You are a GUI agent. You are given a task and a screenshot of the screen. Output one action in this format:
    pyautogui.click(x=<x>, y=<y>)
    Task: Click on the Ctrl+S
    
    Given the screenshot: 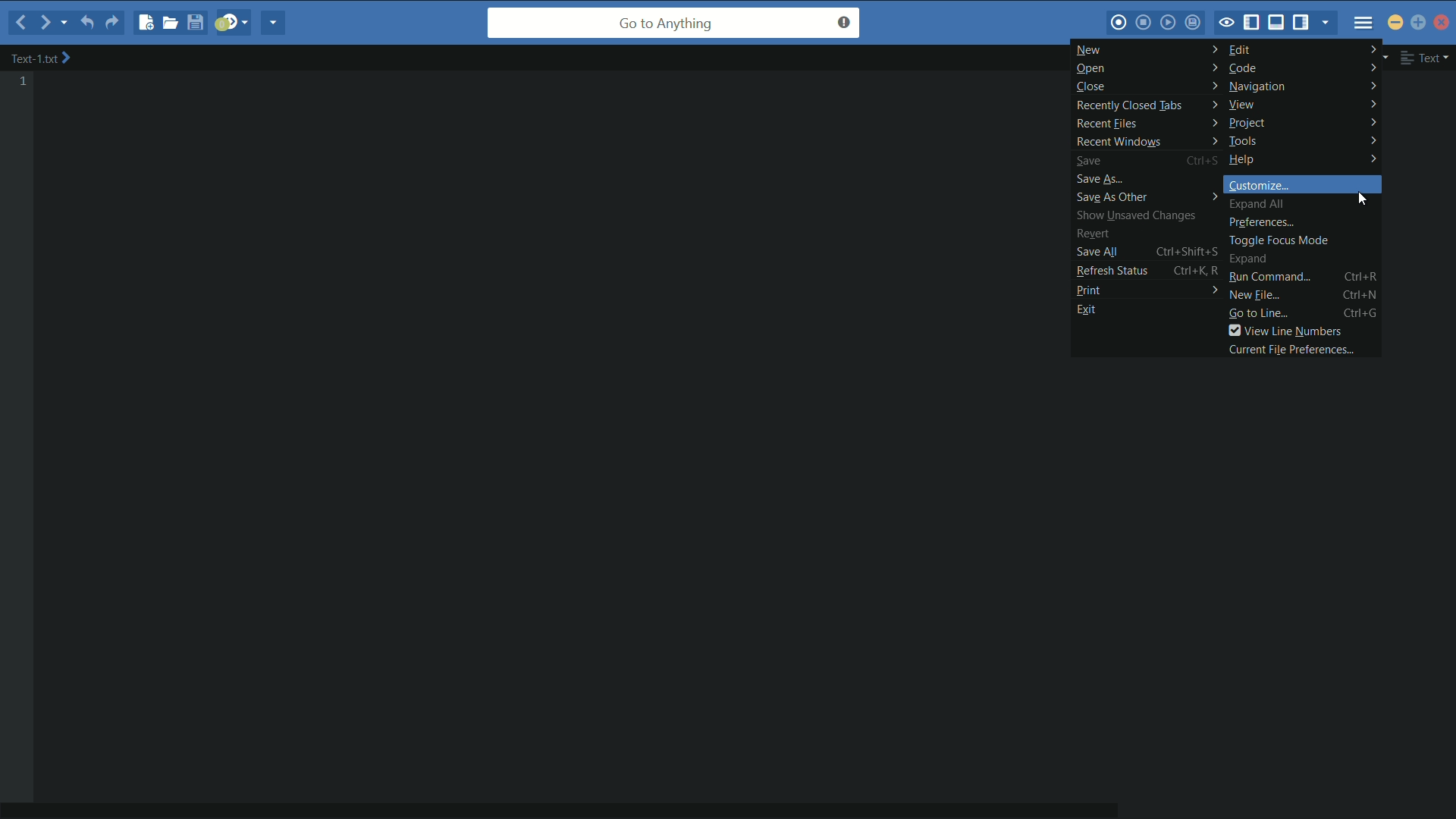 What is the action you would take?
    pyautogui.click(x=1201, y=162)
    